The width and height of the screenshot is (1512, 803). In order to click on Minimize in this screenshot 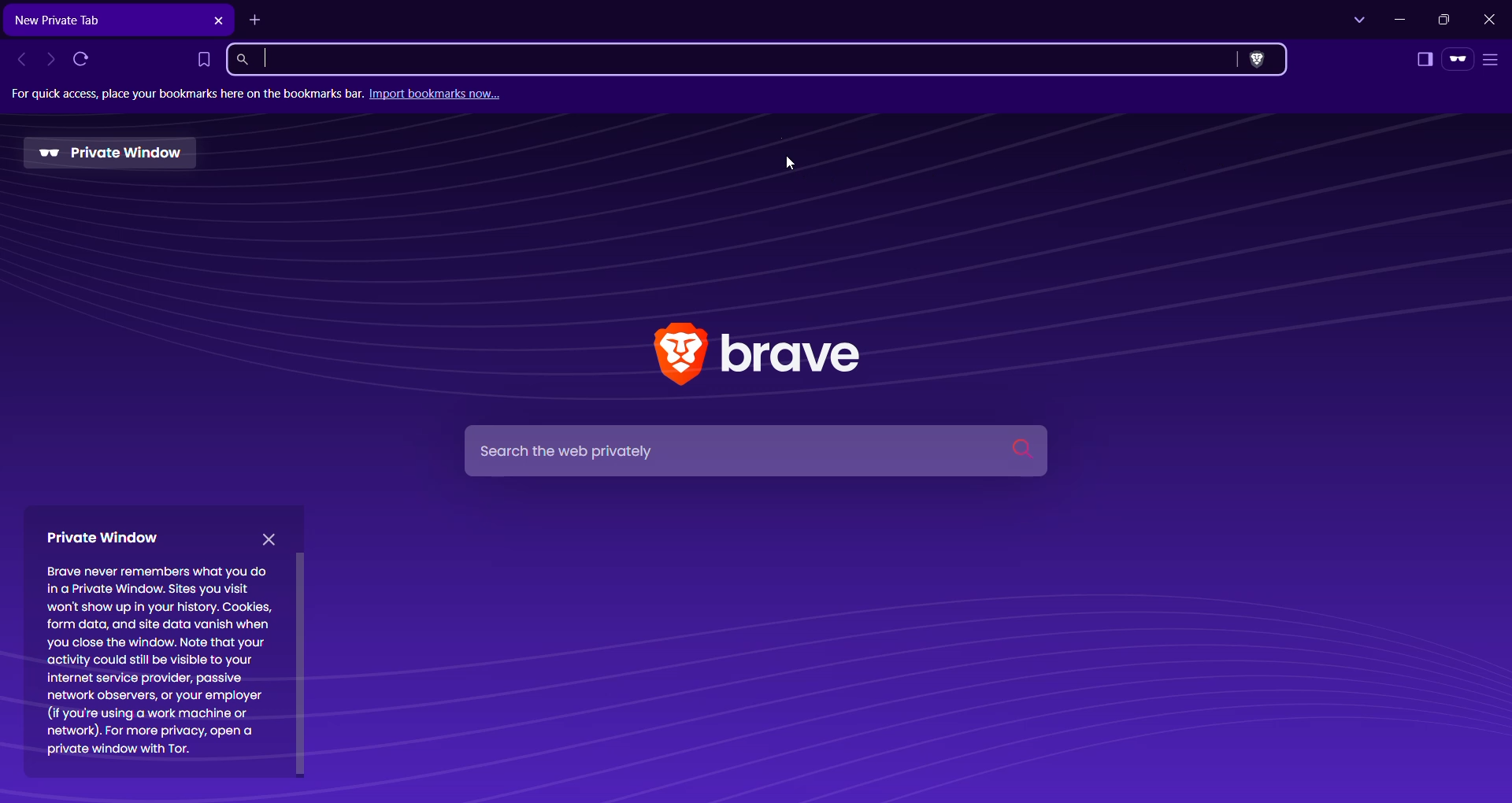, I will do `click(1396, 20)`.